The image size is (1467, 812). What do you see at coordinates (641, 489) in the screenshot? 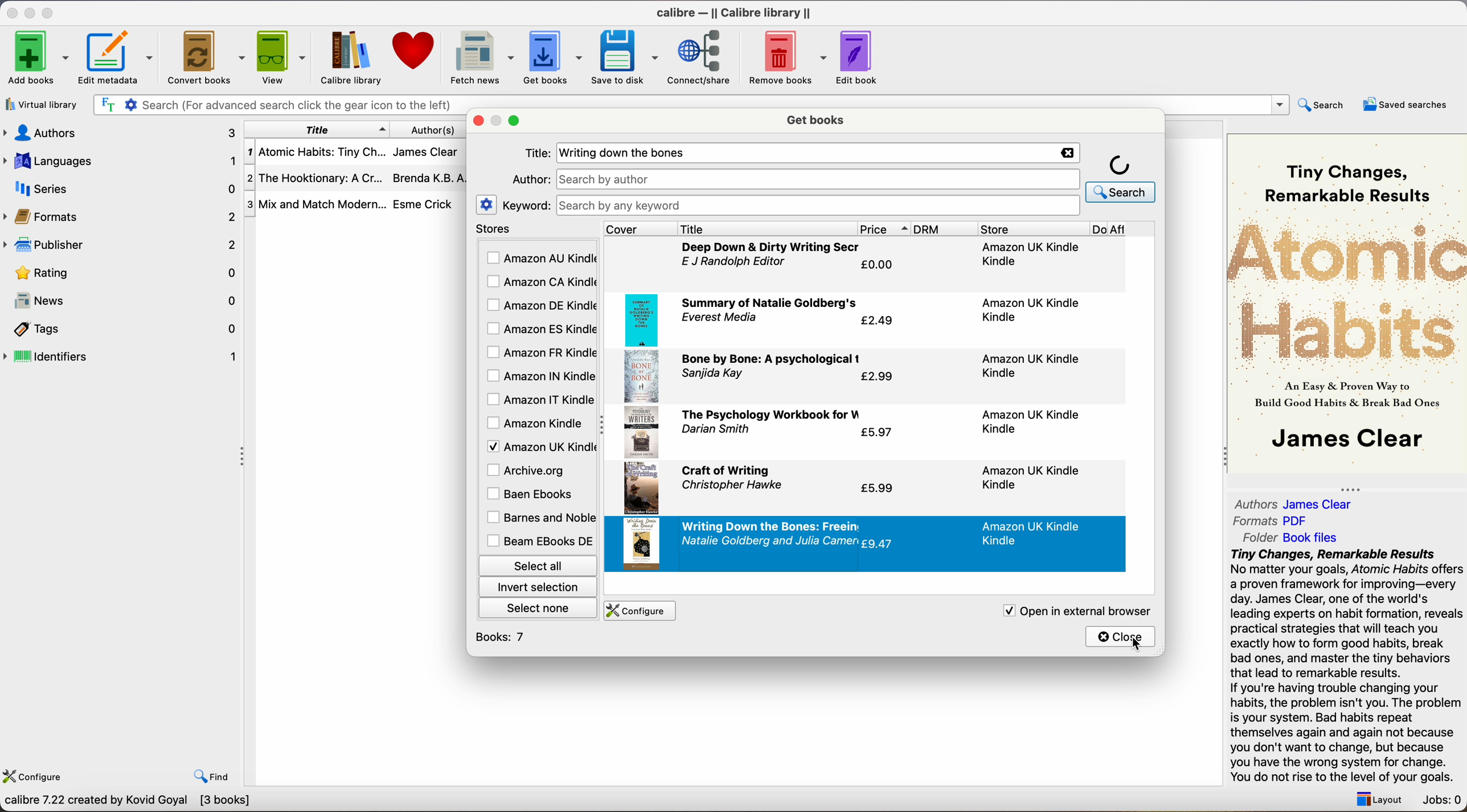
I see `book icon` at bounding box center [641, 489].